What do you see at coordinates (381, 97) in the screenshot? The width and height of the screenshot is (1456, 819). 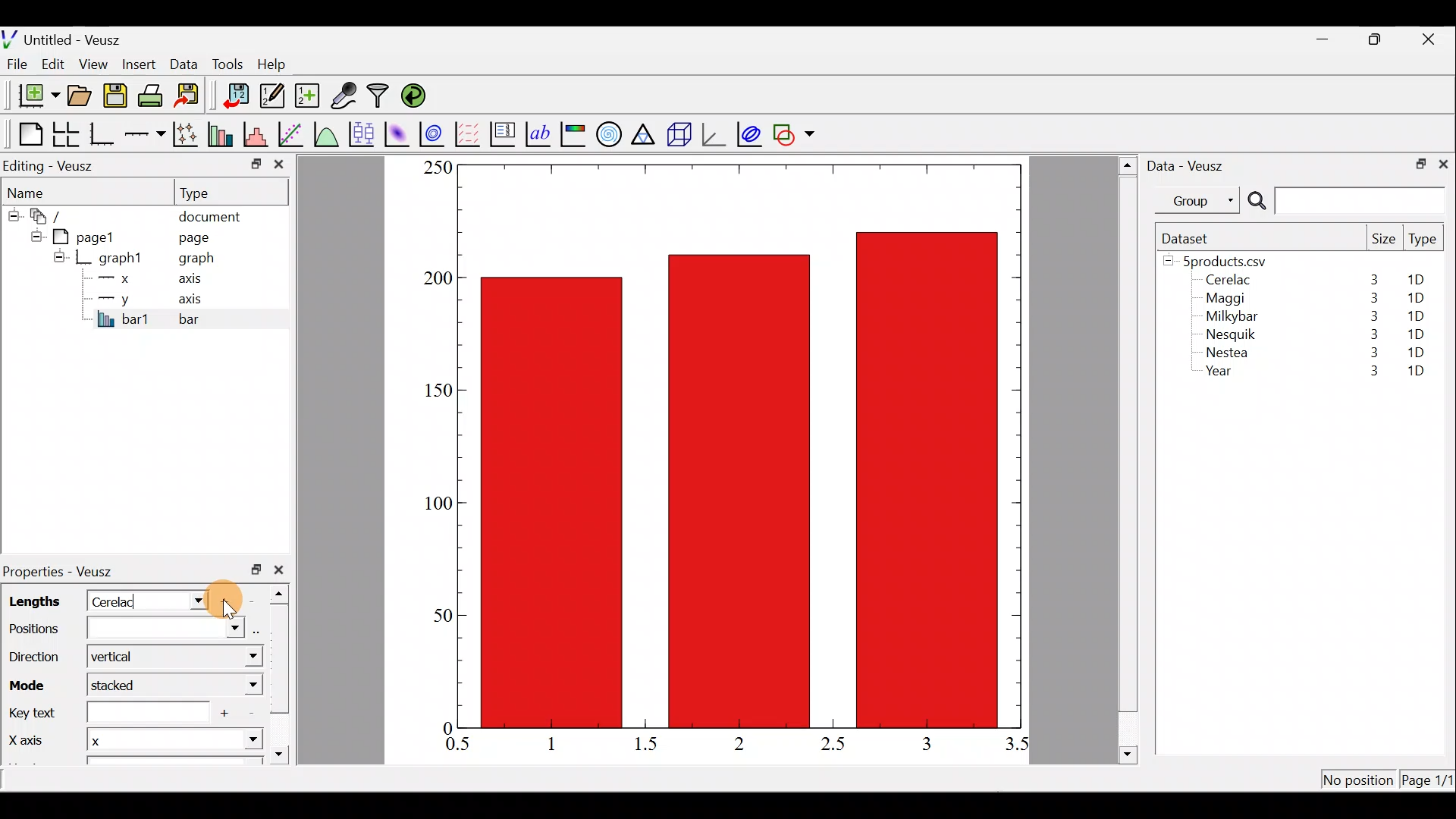 I see `Filter data` at bounding box center [381, 97].